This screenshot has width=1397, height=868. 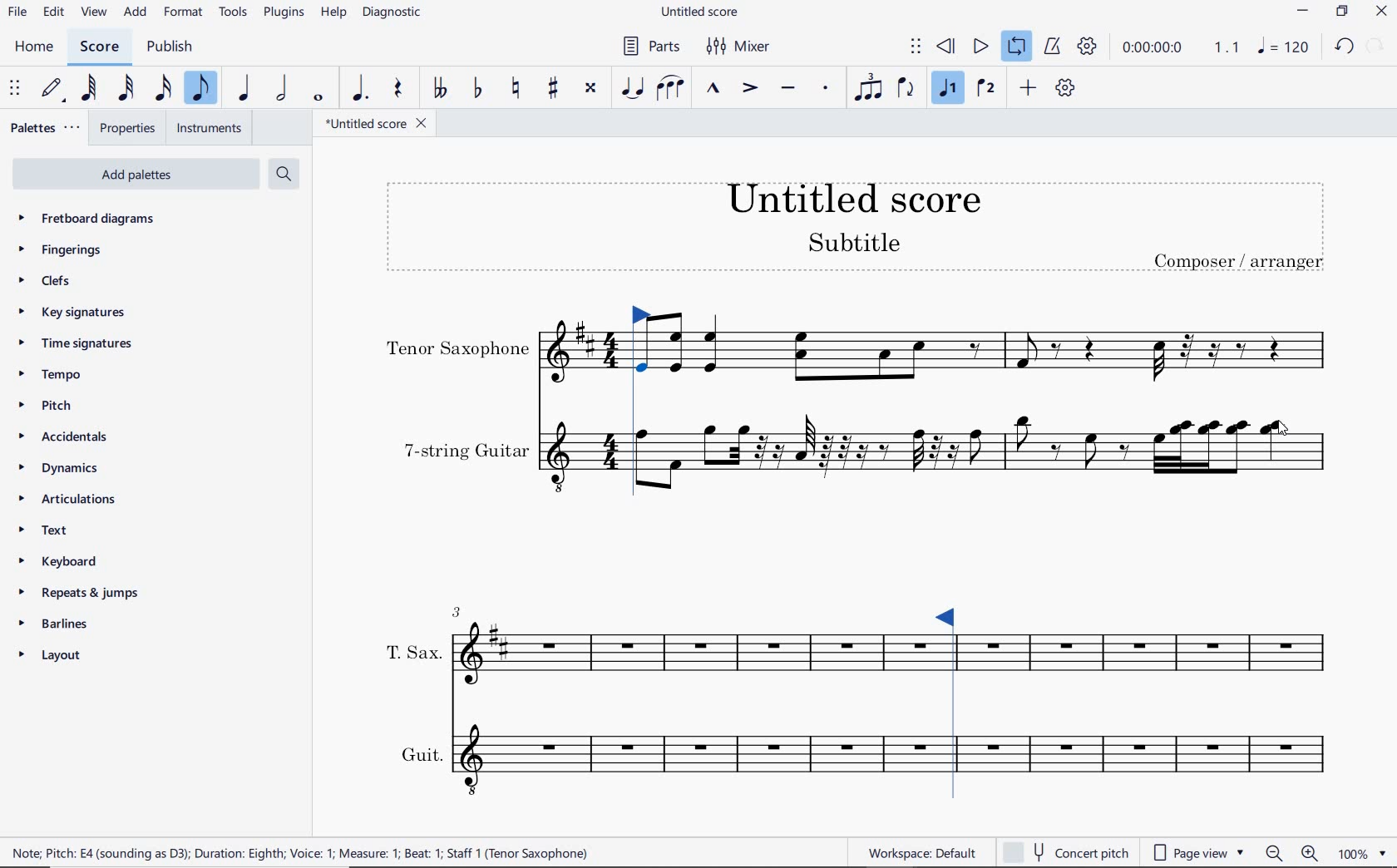 I want to click on EIGHTH NOTE, so click(x=200, y=89).